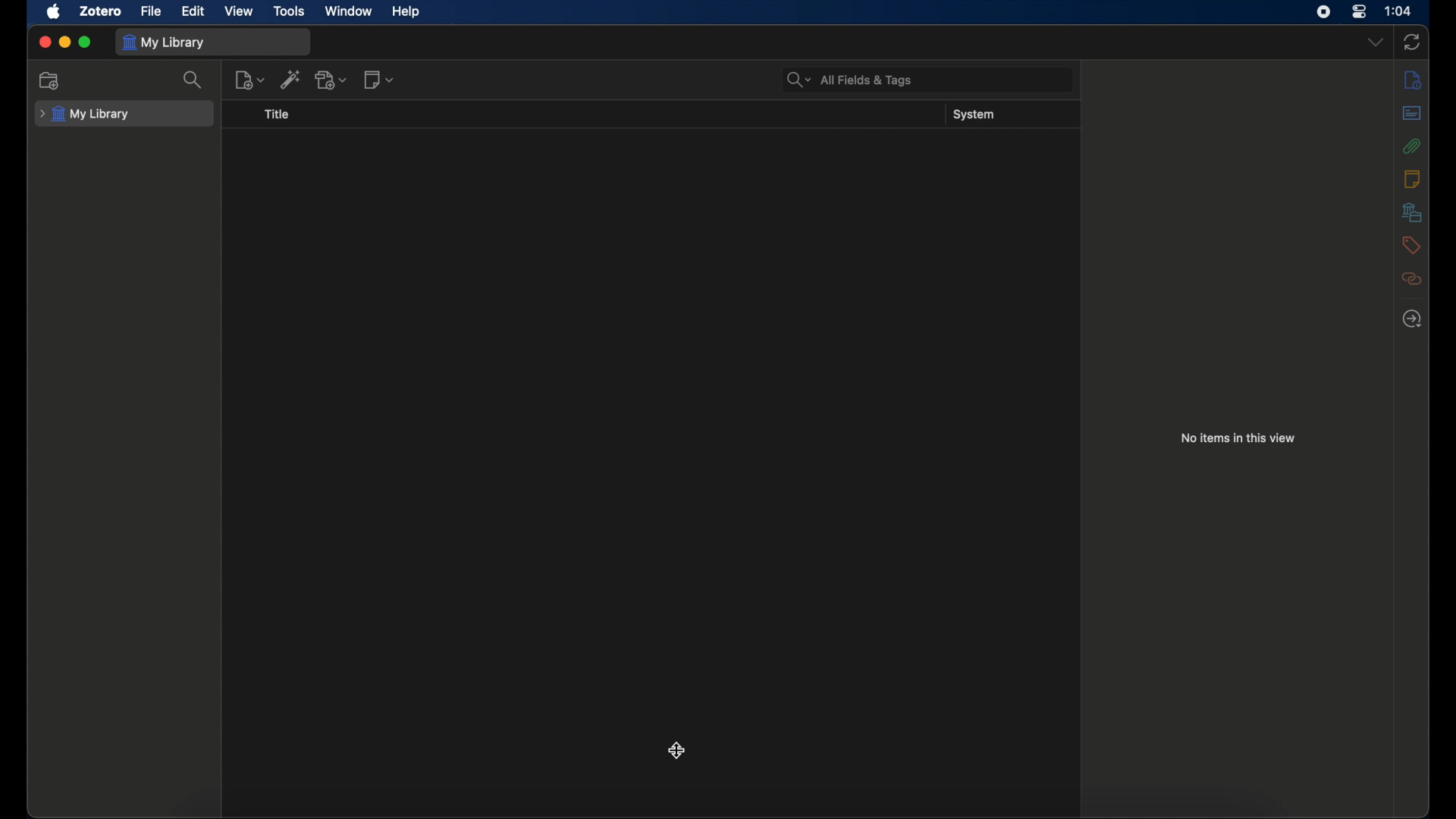  What do you see at coordinates (193, 11) in the screenshot?
I see `edit` at bounding box center [193, 11].